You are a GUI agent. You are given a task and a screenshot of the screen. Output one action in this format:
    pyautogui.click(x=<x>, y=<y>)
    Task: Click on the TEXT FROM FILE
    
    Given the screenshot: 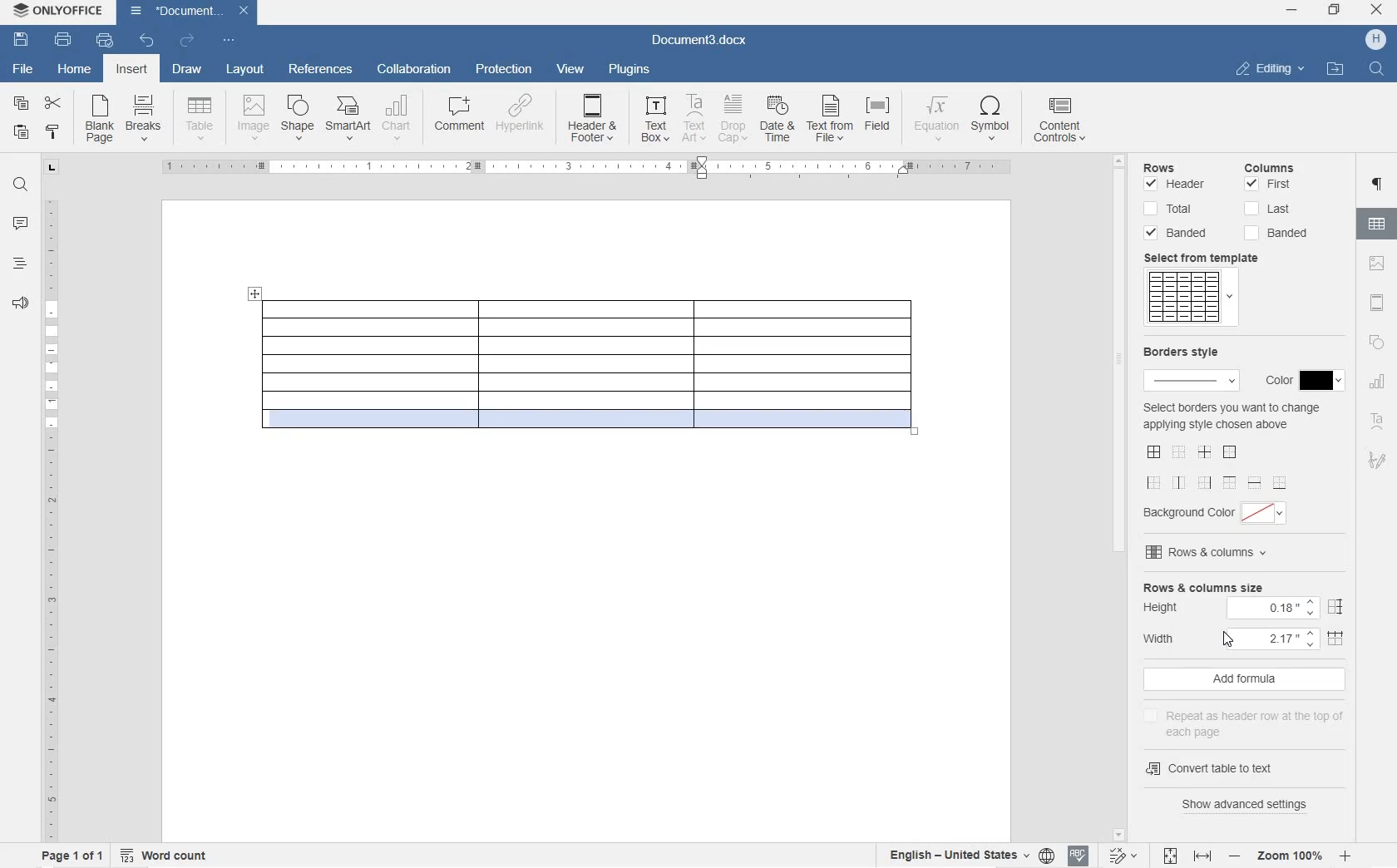 What is the action you would take?
    pyautogui.click(x=829, y=121)
    